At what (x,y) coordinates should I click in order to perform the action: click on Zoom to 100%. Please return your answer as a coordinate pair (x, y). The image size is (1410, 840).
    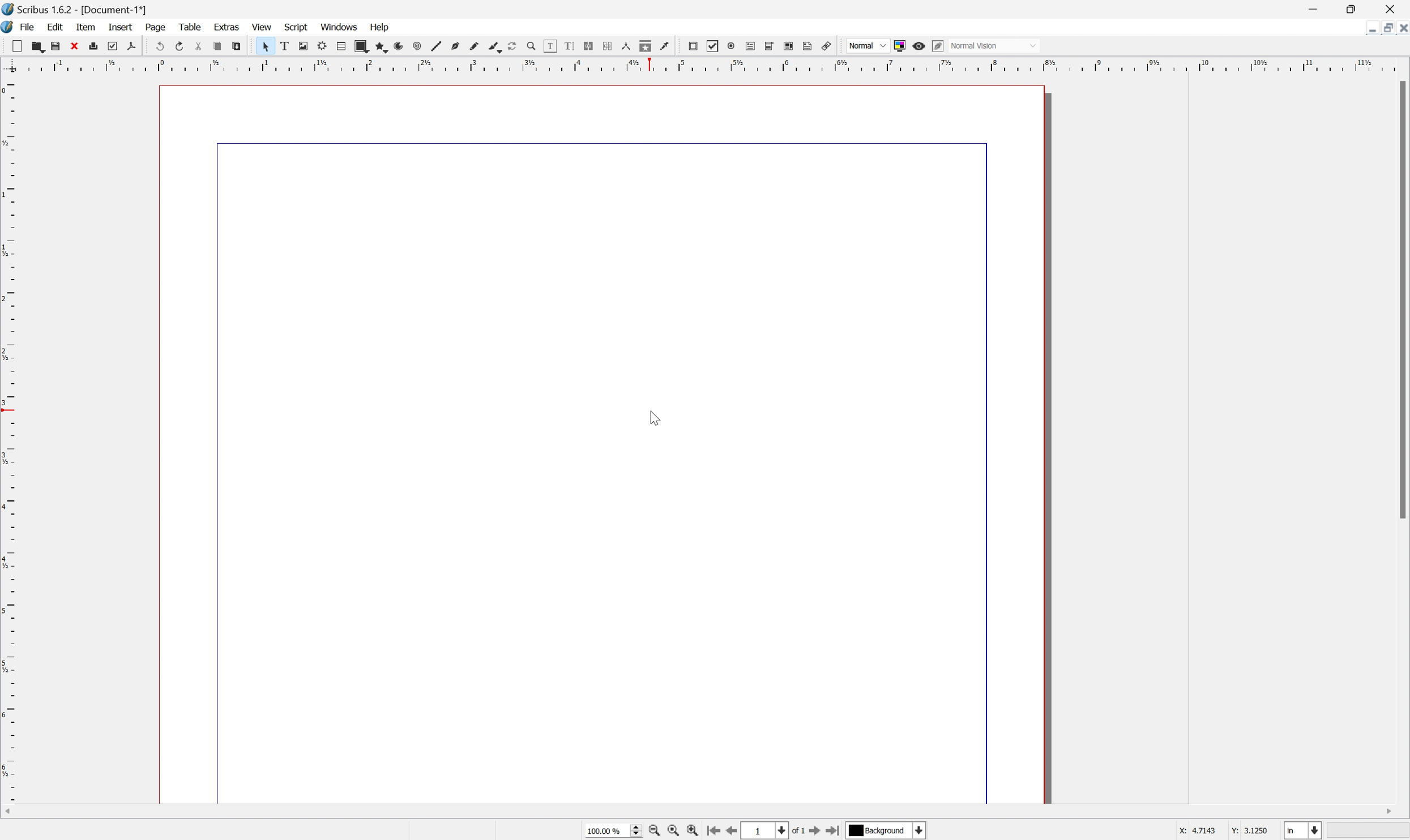
    Looking at the image, I should click on (671, 832).